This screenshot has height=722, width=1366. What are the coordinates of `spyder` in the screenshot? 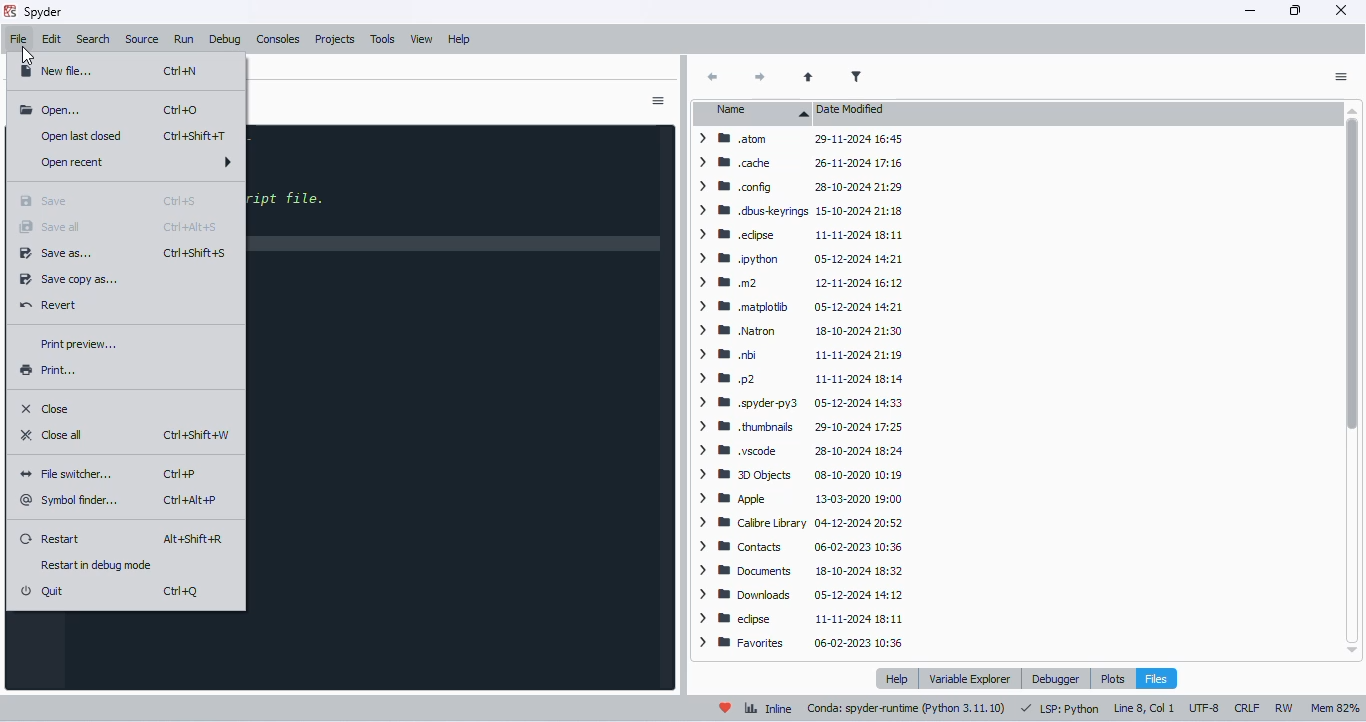 It's located at (44, 11).